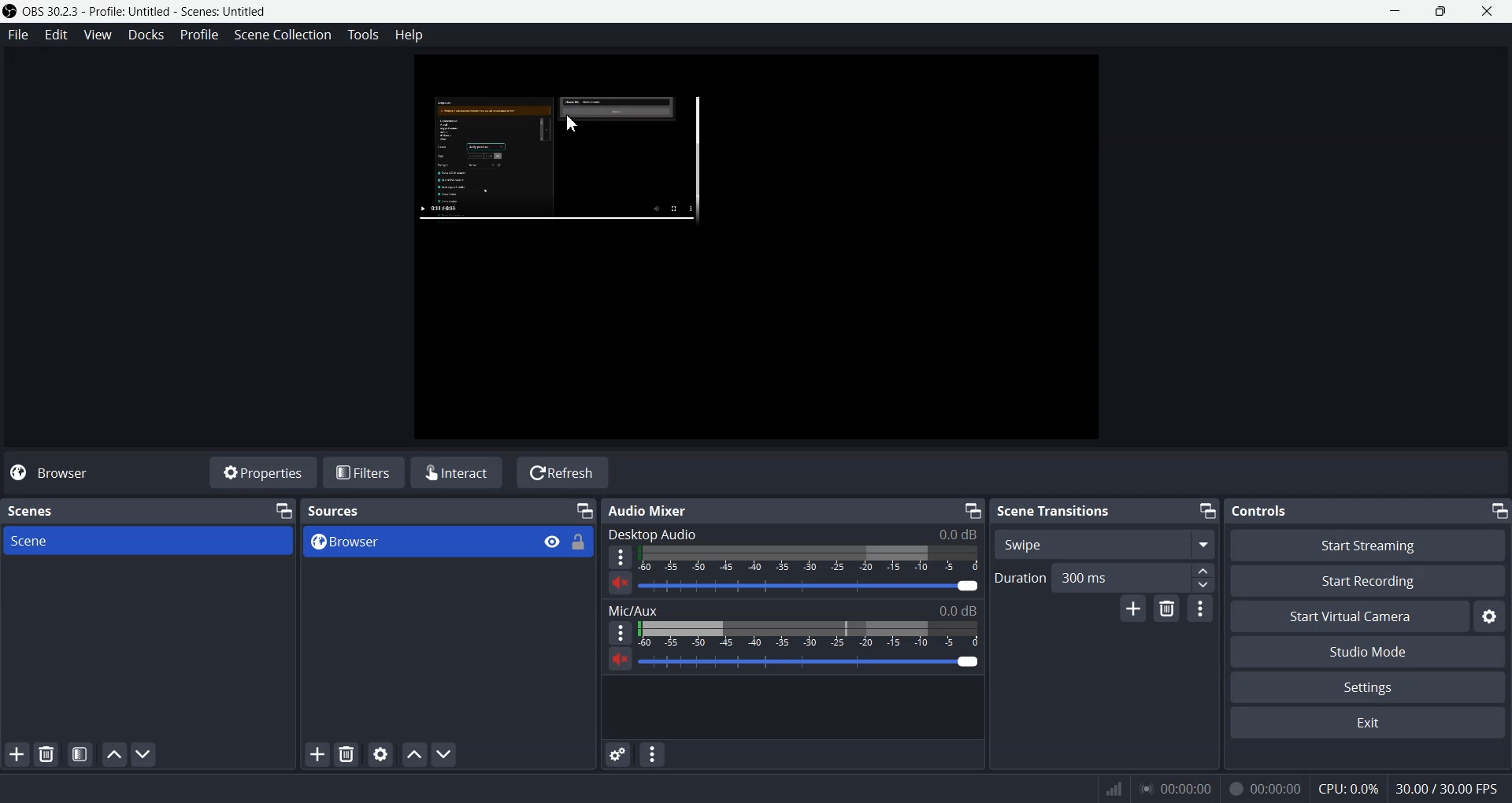  What do you see at coordinates (33, 511) in the screenshot?
I see `Scenes` at bounding box center [33, 511].